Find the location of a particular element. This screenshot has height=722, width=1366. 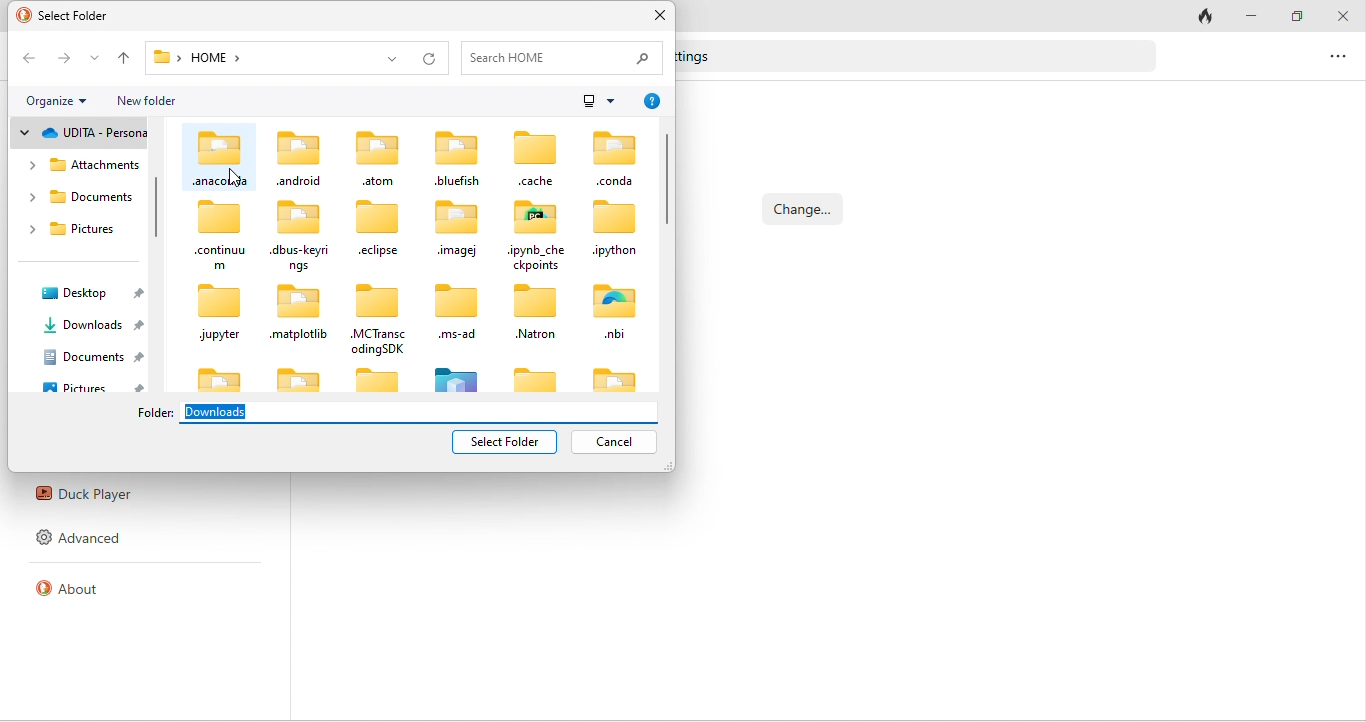

.matplotlib is located at coordinates (298, 313).